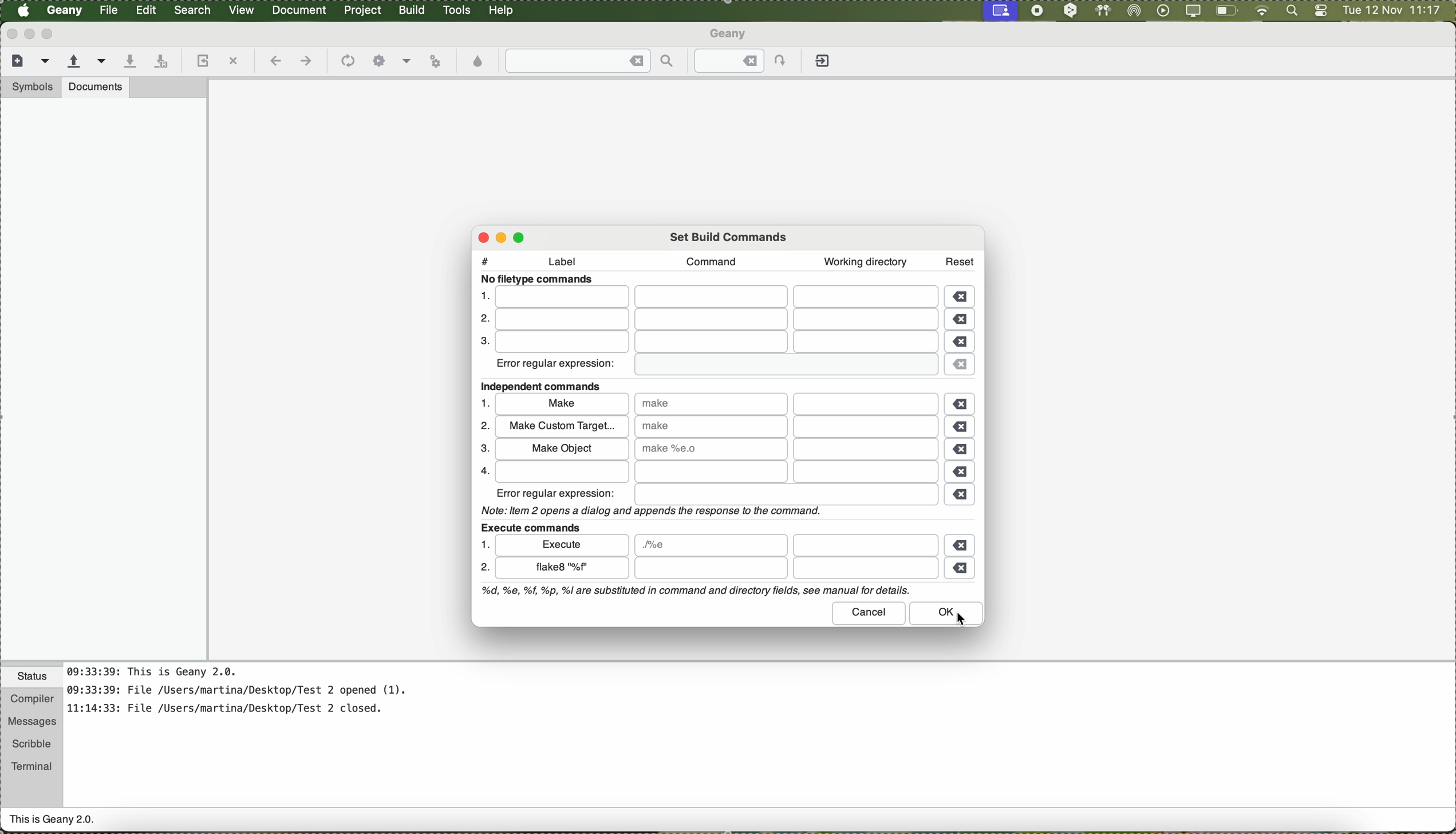 This screenshot has height=834, width=1456. Describe the element at coordinates (557, 493) in the screenshot. I see `error regular expression:` at that location.